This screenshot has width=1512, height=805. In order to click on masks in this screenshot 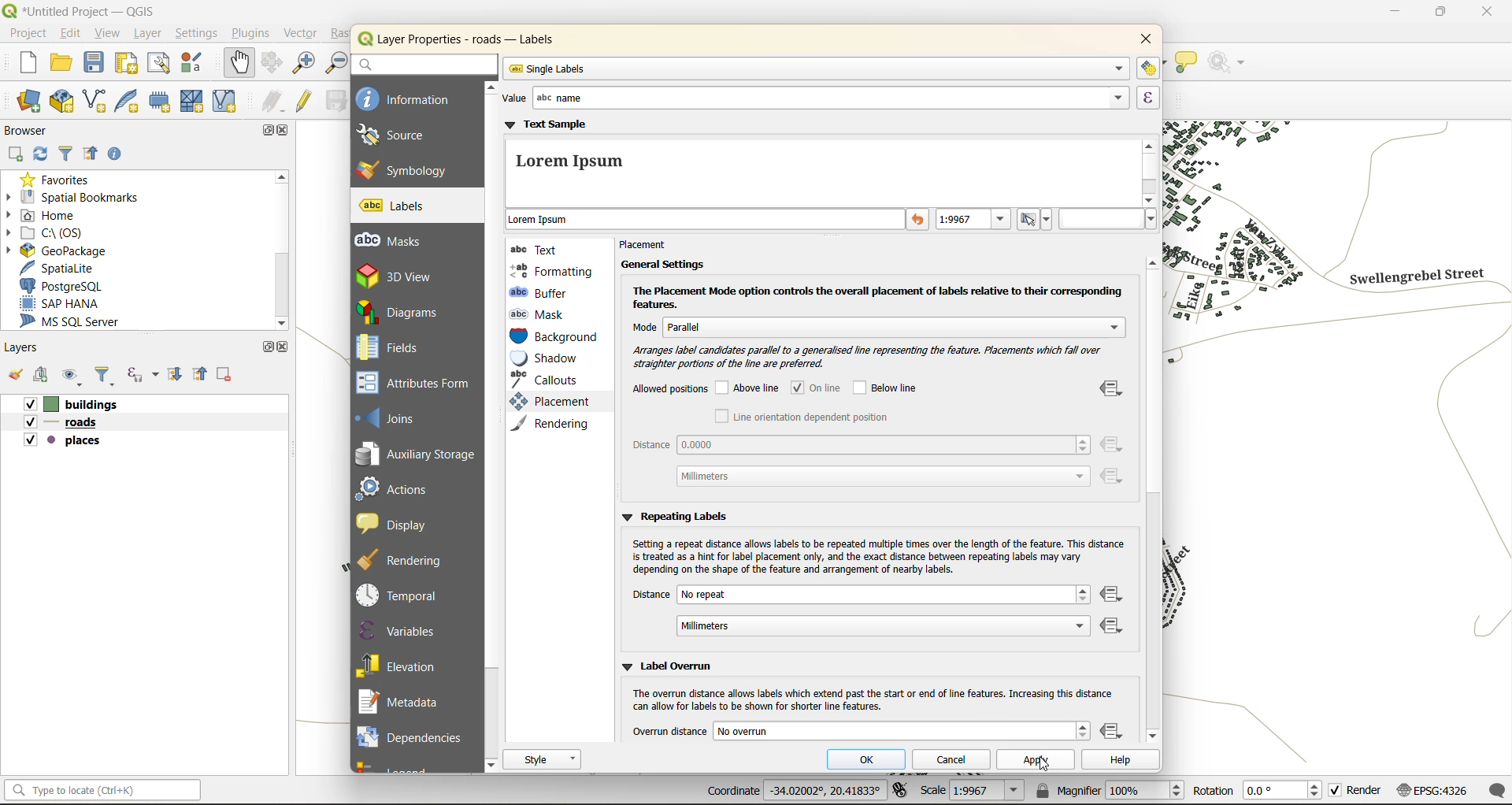, I will do `click(397, 241)`.